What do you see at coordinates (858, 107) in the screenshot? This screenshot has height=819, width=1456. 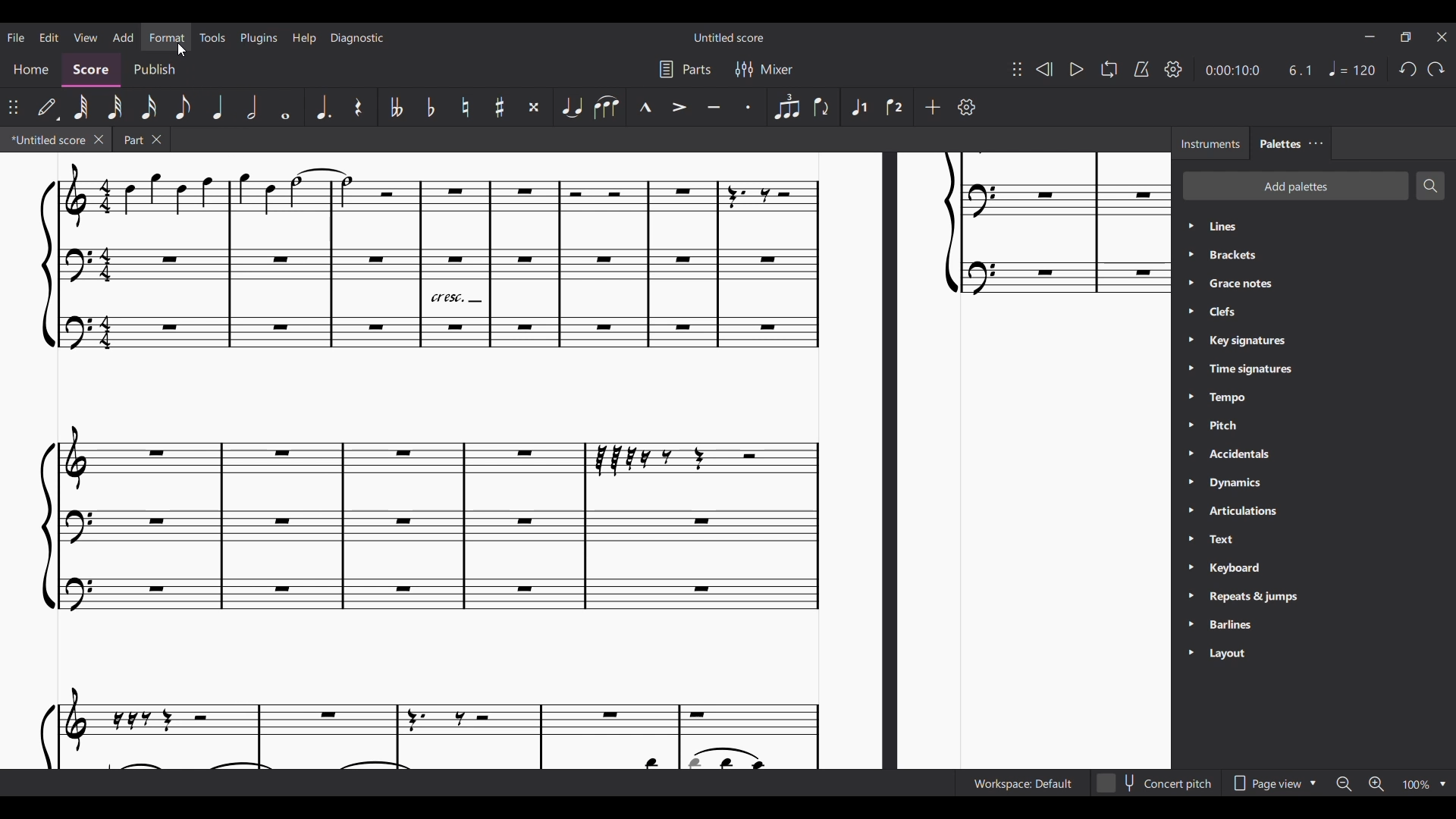 I see `Voice 1` at bounding box center [858, 107].